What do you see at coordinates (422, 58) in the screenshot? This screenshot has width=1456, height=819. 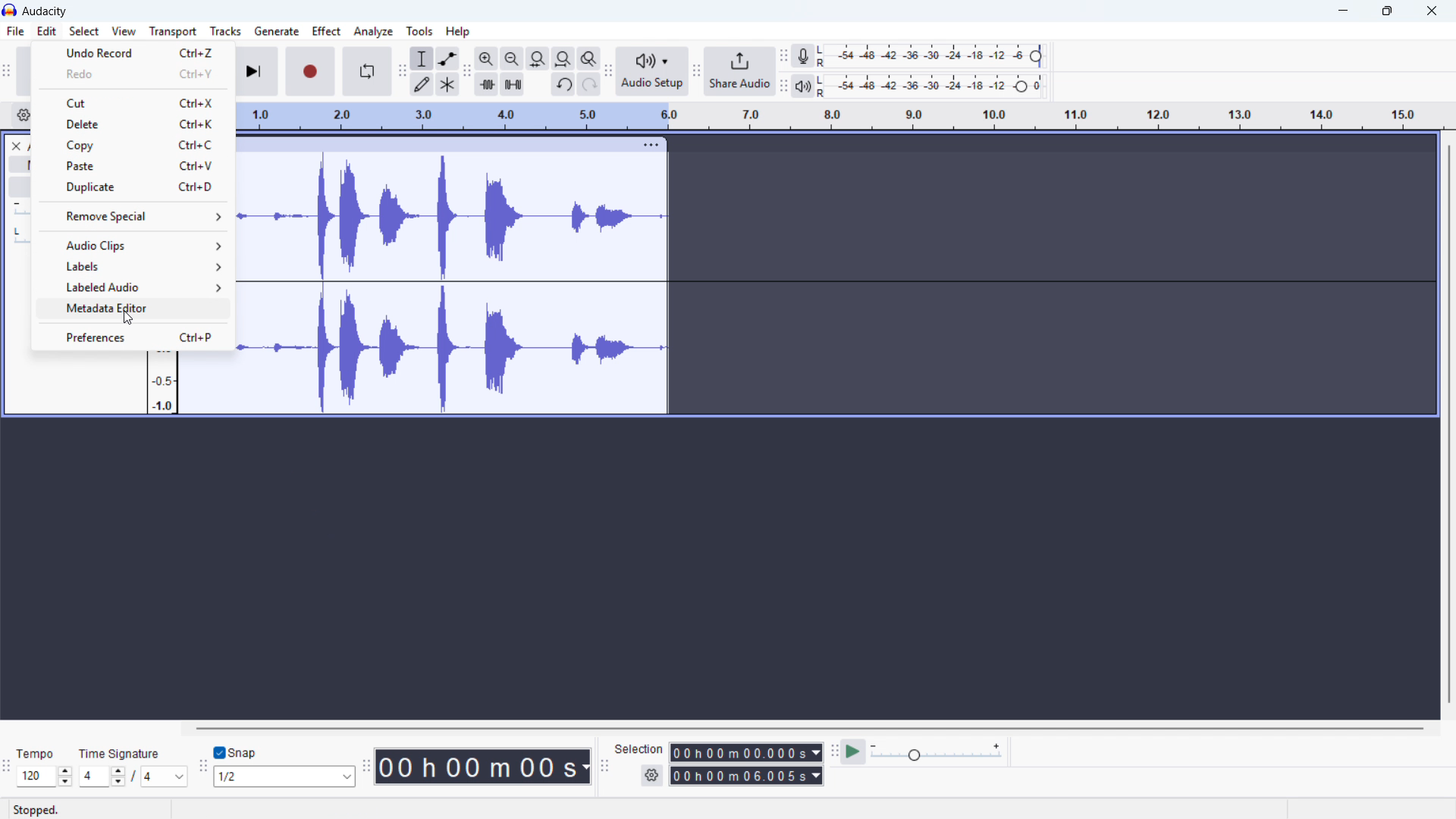 I see `selection tool` at bounding box center [422, 58].